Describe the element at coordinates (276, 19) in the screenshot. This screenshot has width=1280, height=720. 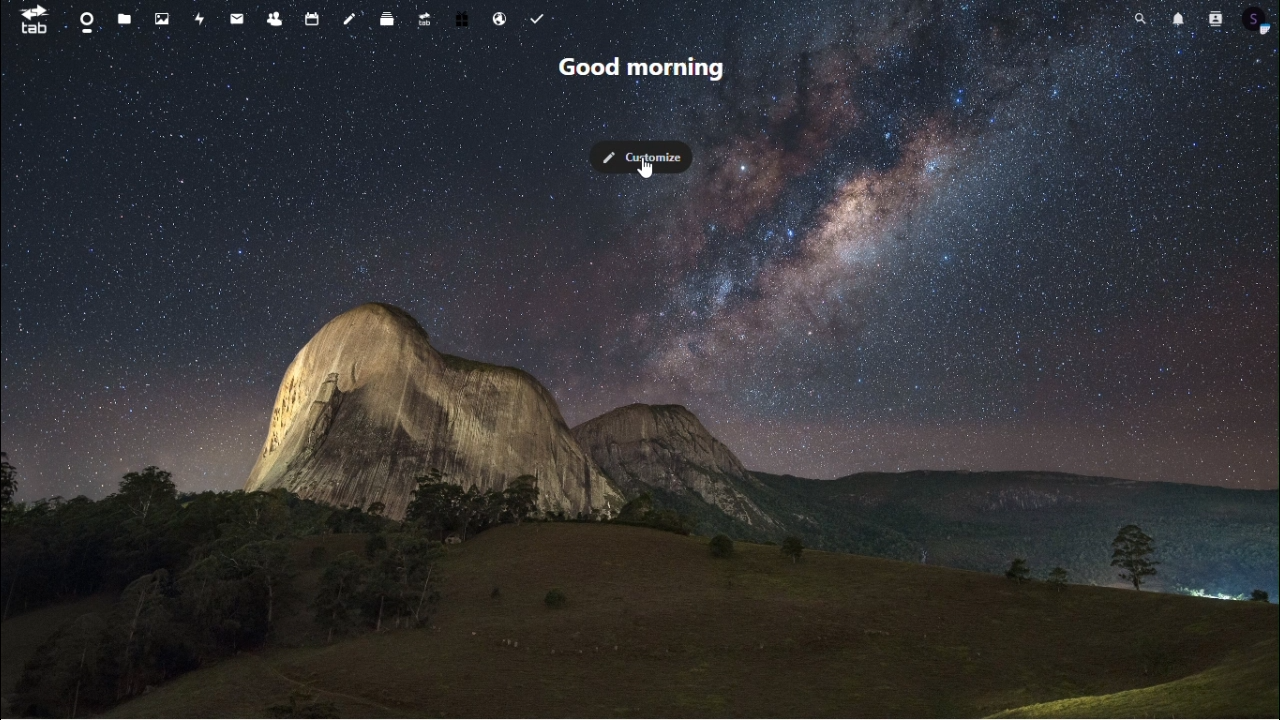
I see `contacts` at that location.